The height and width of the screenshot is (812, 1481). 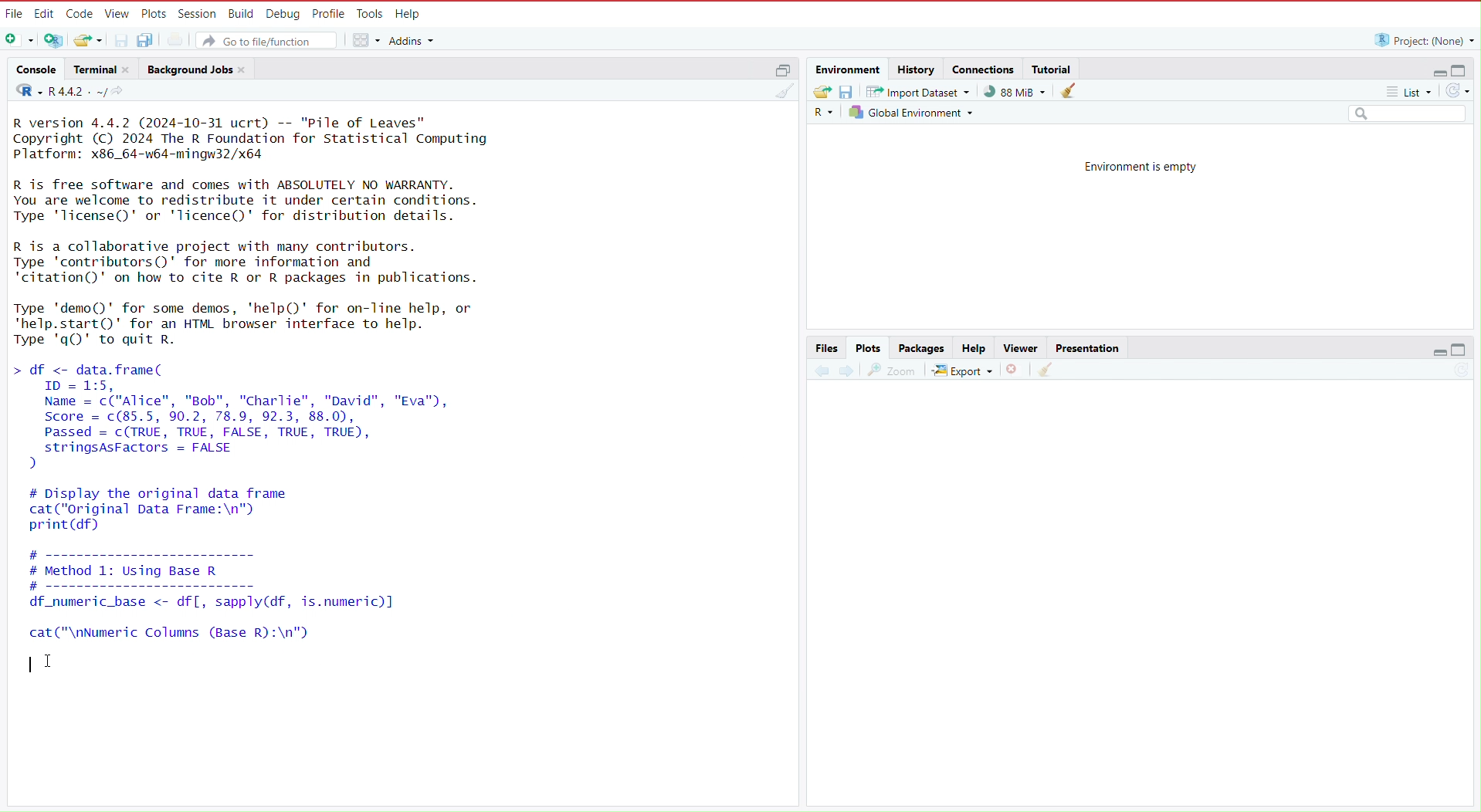 What do you see at coordinates (188, 67) in the screenshot?
I see `Background jobs` at bounding box center [188, 67].